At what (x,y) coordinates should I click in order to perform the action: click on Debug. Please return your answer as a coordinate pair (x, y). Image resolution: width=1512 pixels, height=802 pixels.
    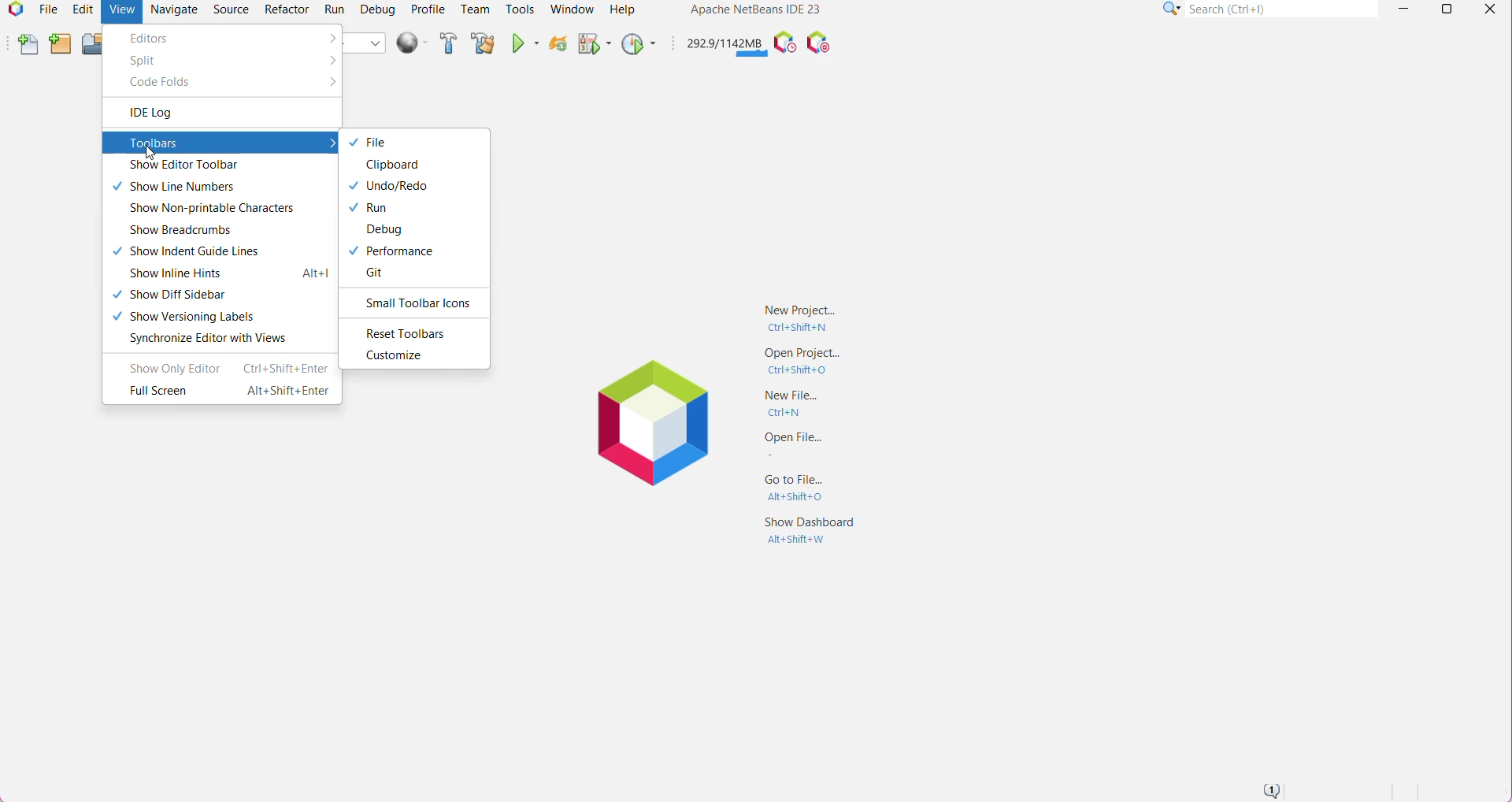
    Looking at the image, I should click on (378, 9).